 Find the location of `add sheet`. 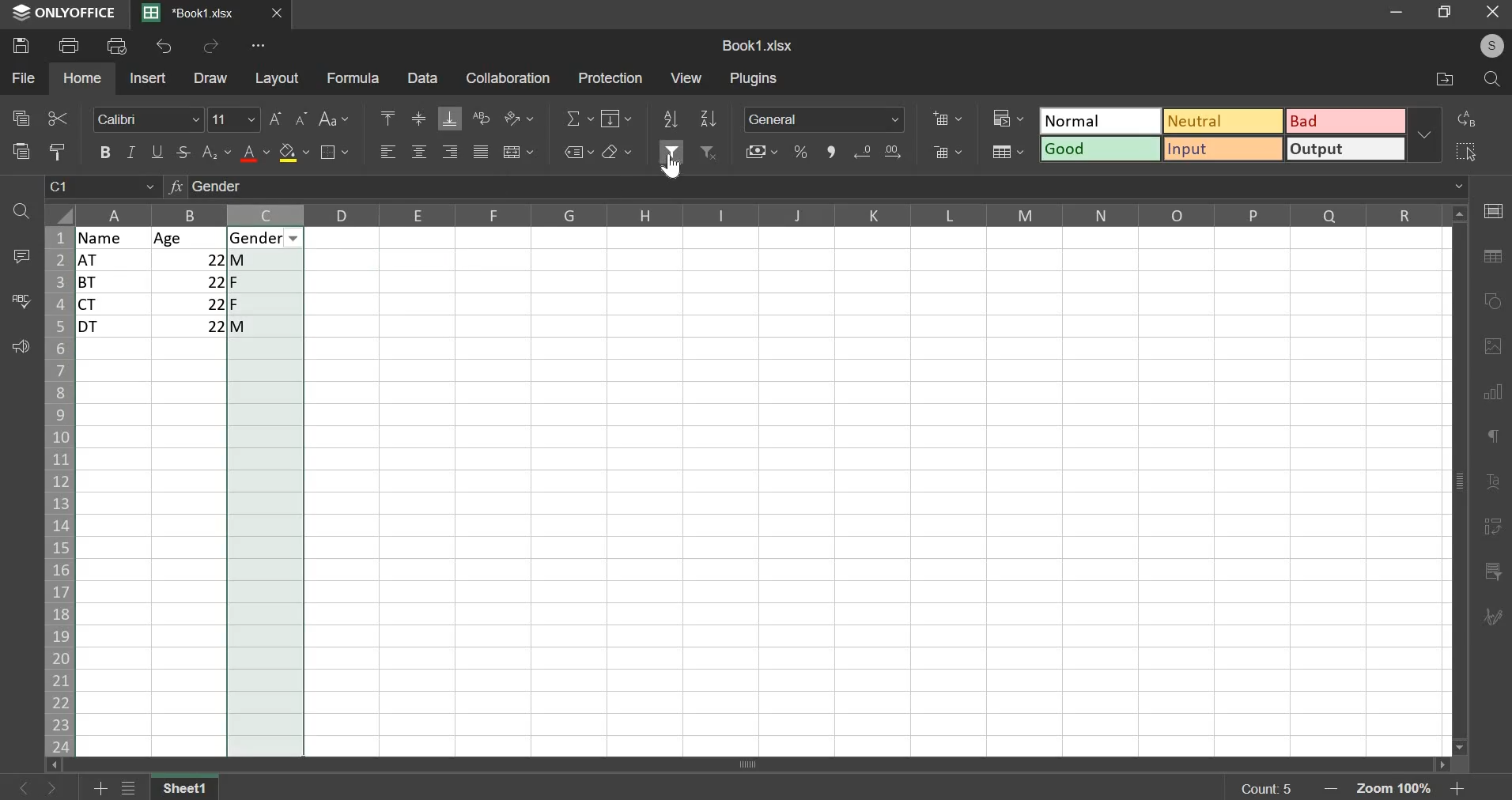

add sheet is located at coordinates (102, 786).